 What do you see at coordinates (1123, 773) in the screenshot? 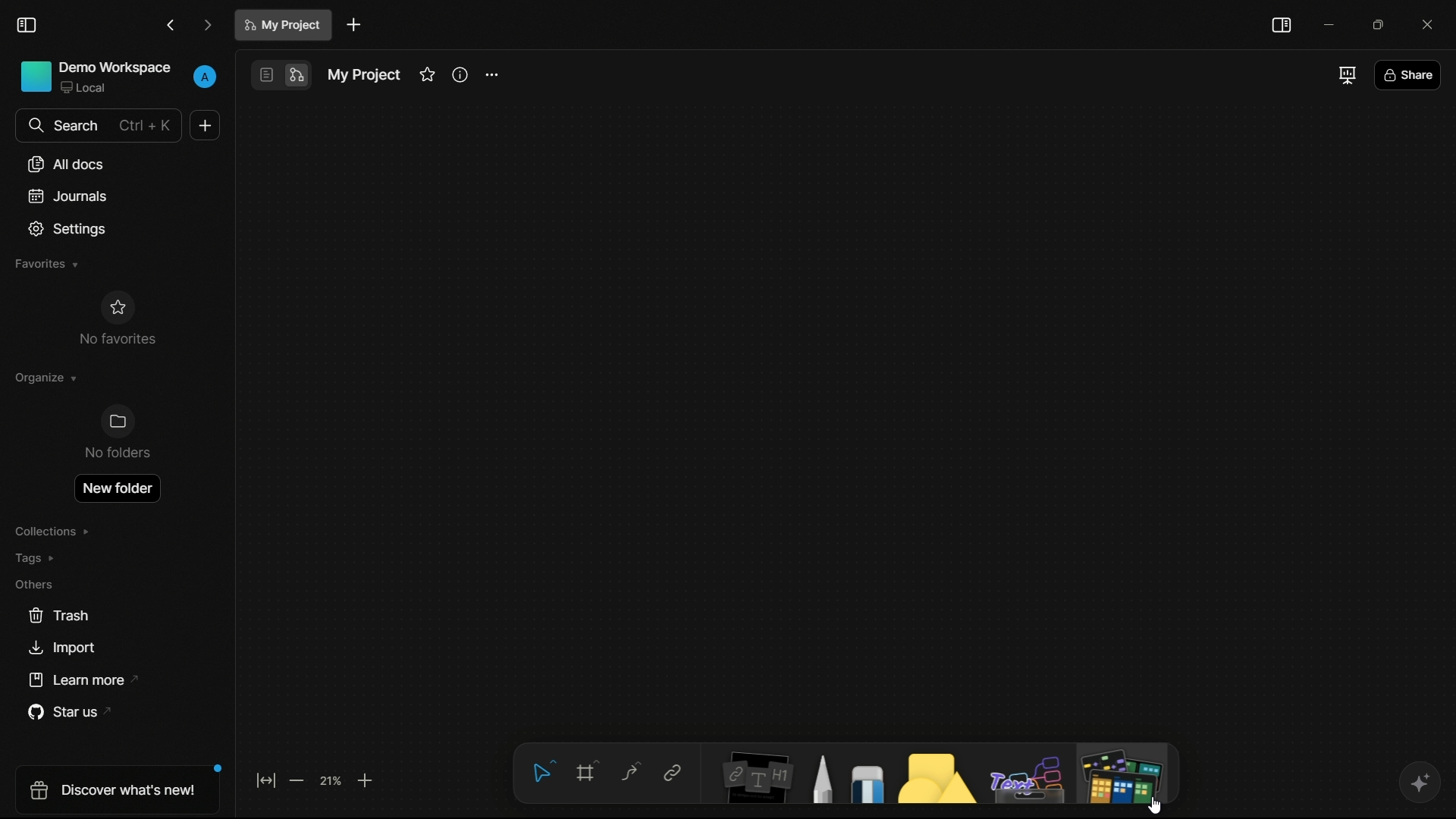
I see `more tools` at bounding box center [1123, 773].